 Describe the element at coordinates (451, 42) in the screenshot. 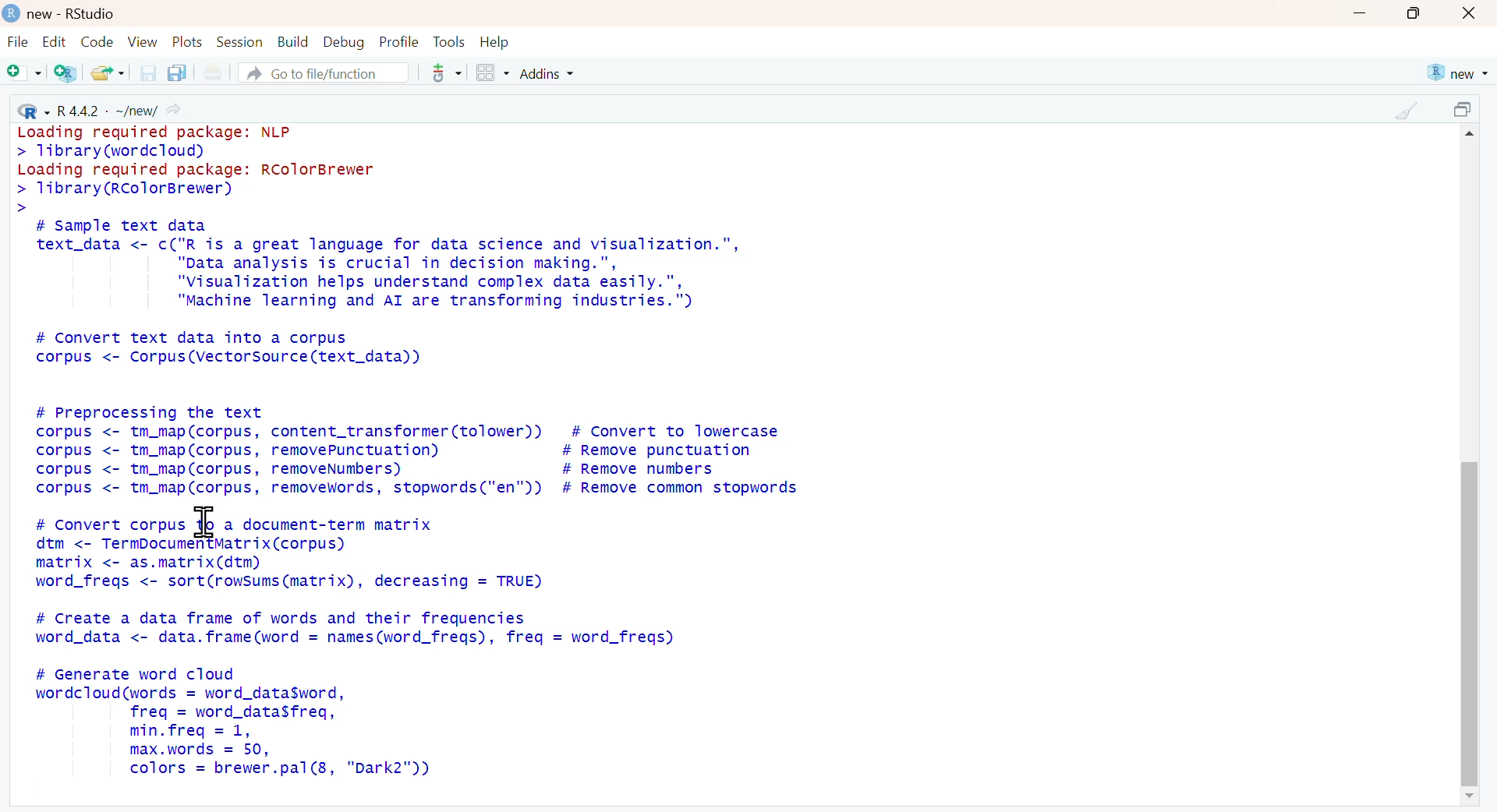

I see `Tools` at that location.